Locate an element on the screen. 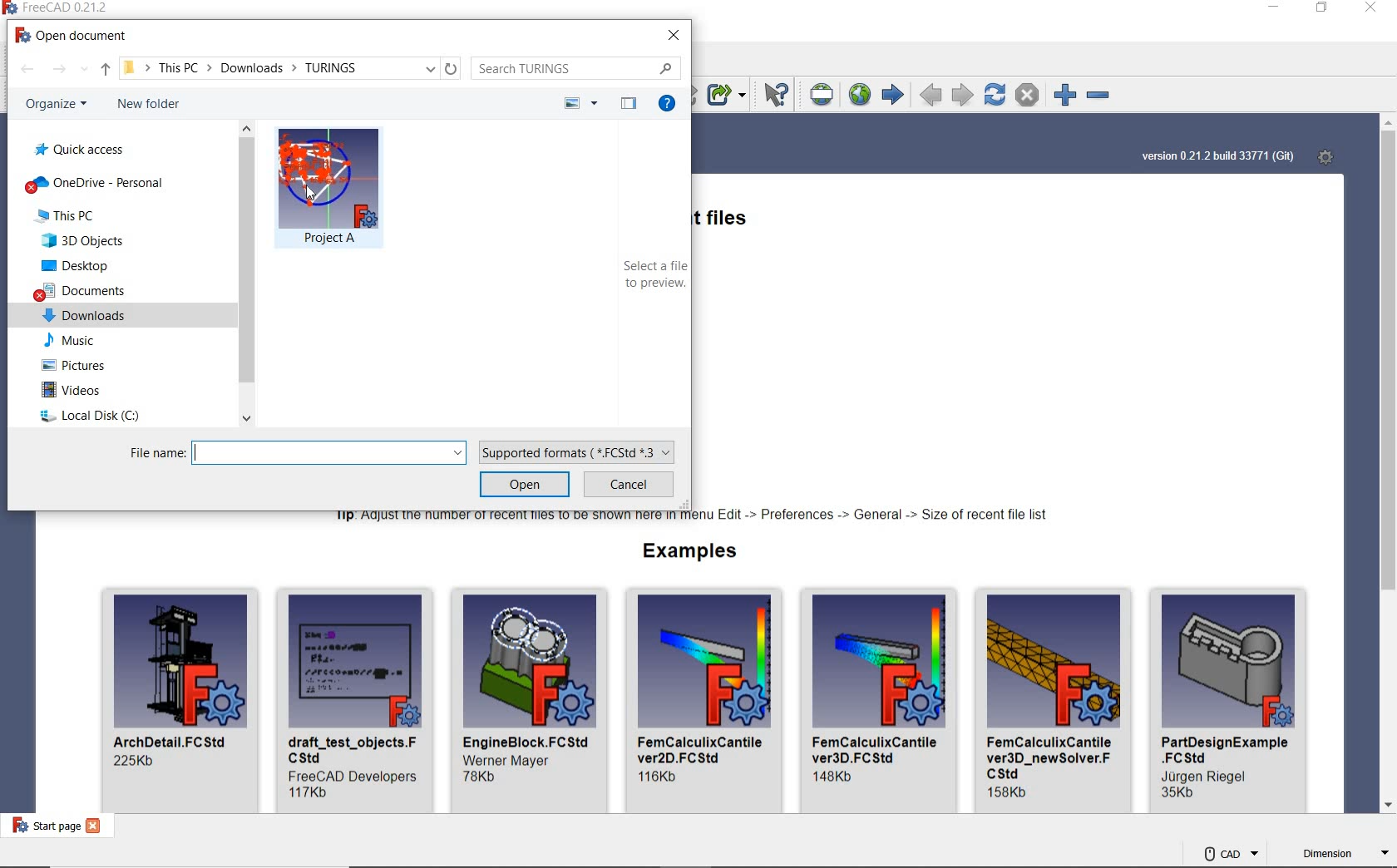 The width and height of the screenshot is (1397, 868). CLOSE is located at coordinates (1370, 9).